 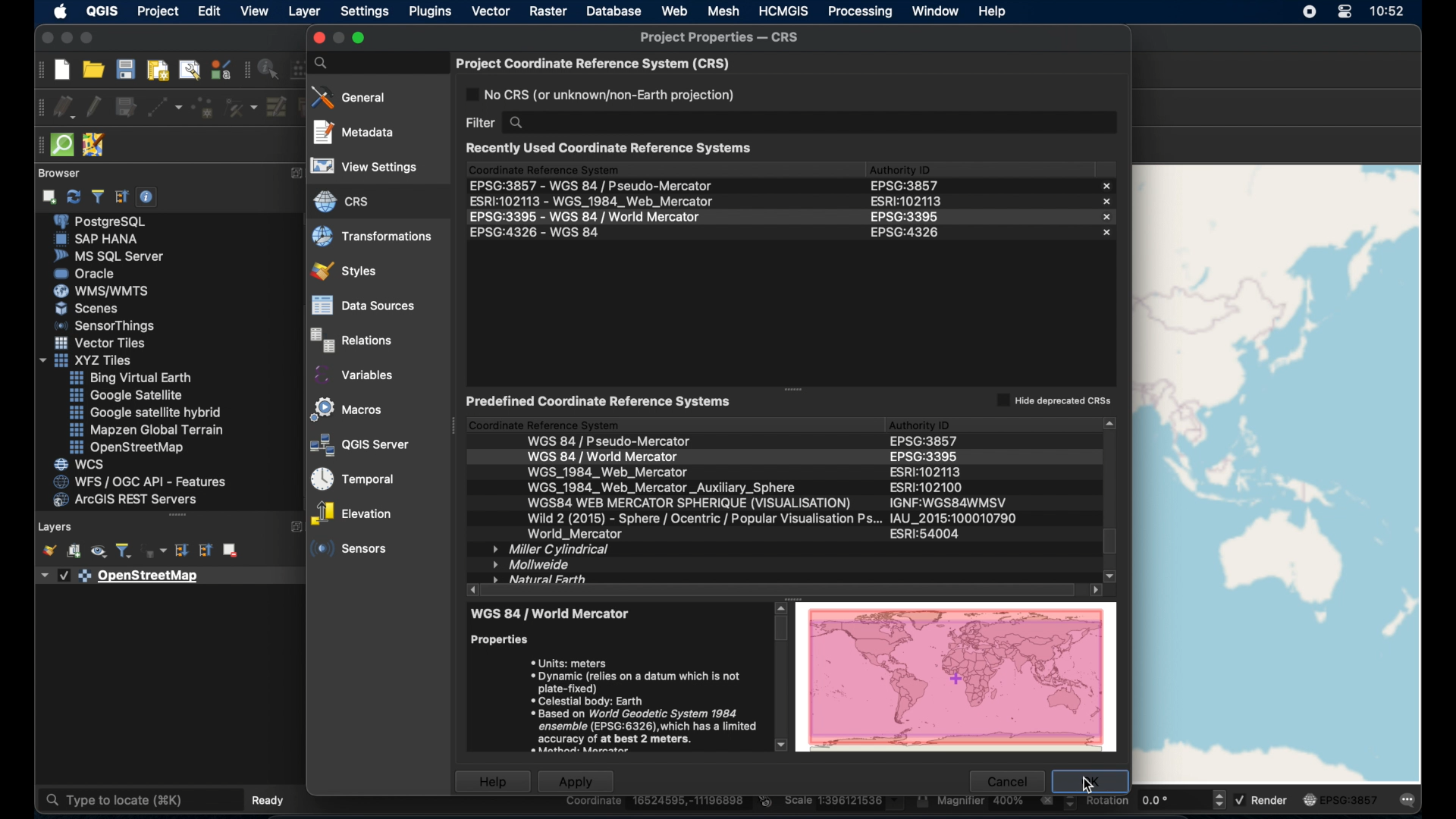 I want to click on EPSG:3395 - WGS 84 / World Mercator, so click(x=585, y=216).